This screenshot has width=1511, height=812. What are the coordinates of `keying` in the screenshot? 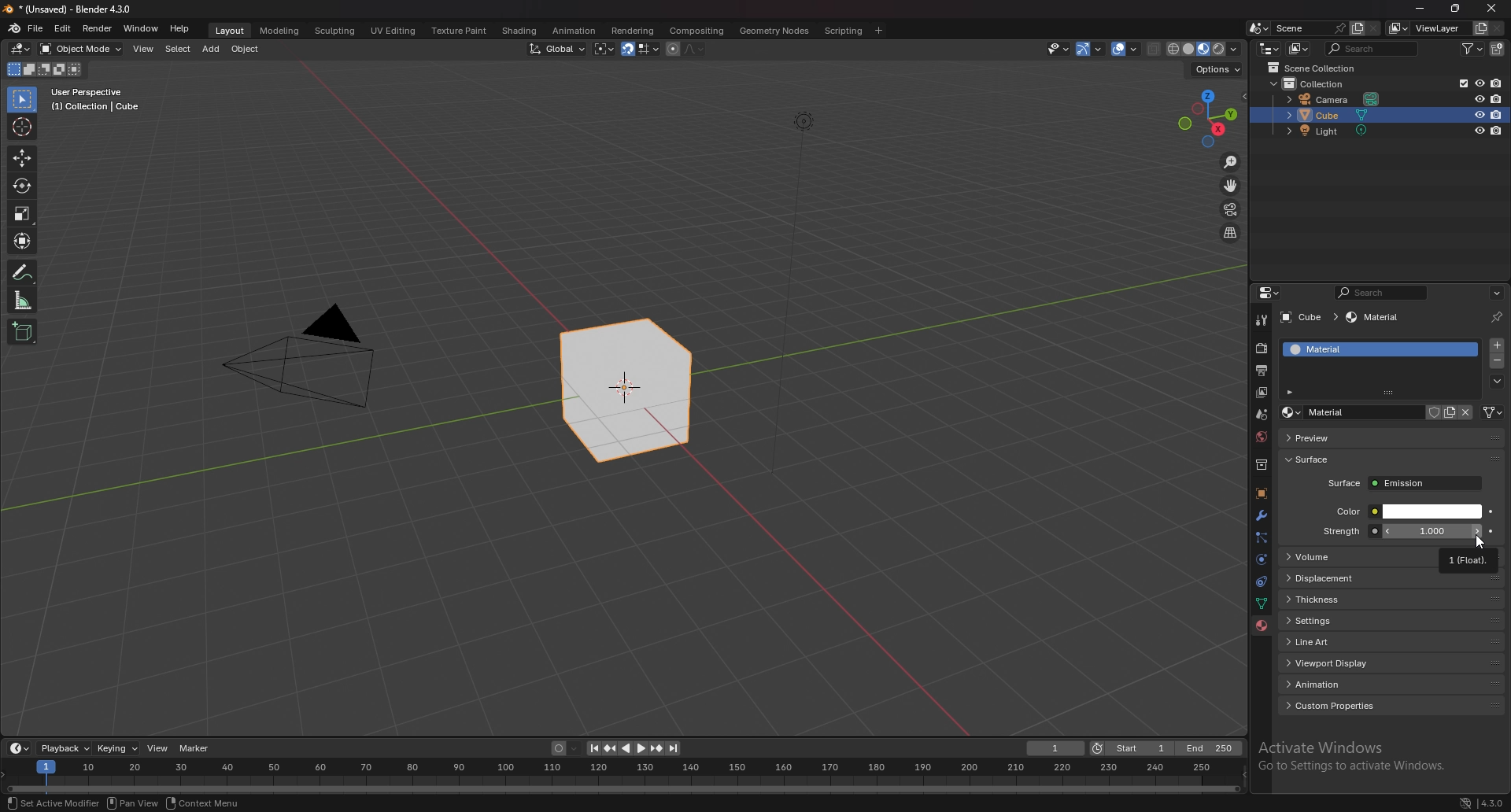 It's located at (118, 747).